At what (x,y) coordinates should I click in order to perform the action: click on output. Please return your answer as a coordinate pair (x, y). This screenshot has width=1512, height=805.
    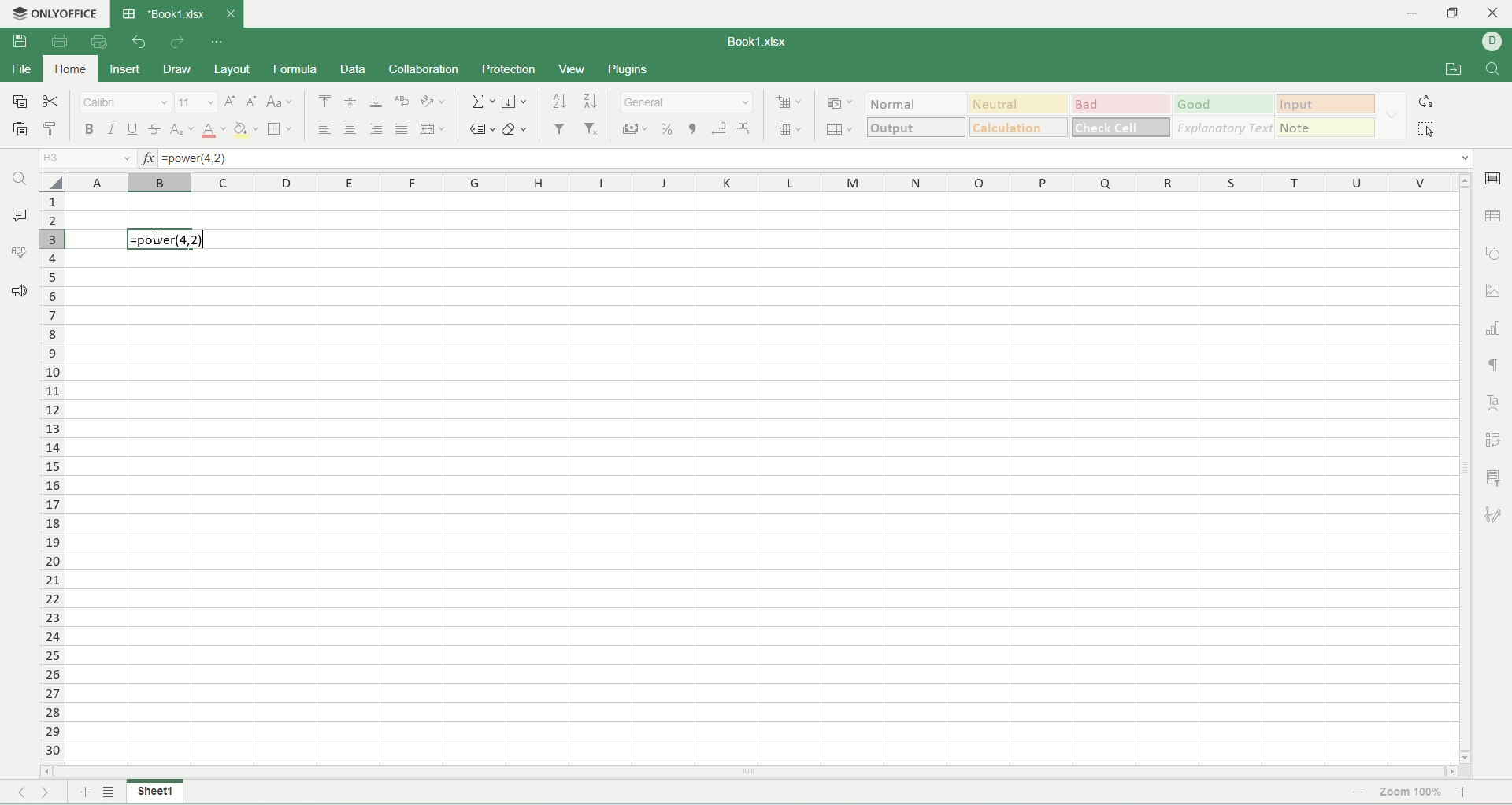
    Looking at the image, I should click on (916, 128).